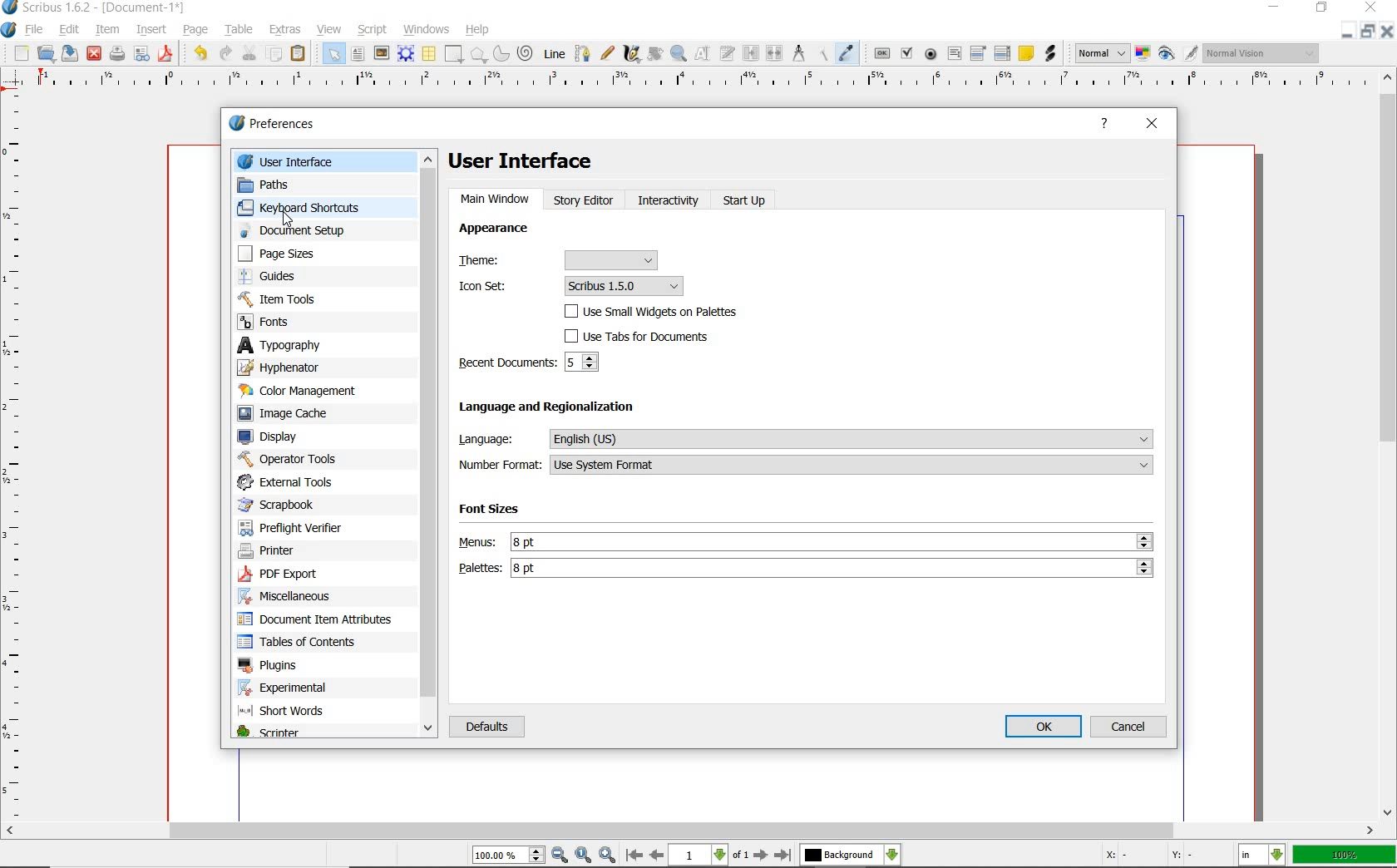  What do you see at coordinates (291, 277) in the screenshot?
I see `guides` at bounding box center [291, 277].